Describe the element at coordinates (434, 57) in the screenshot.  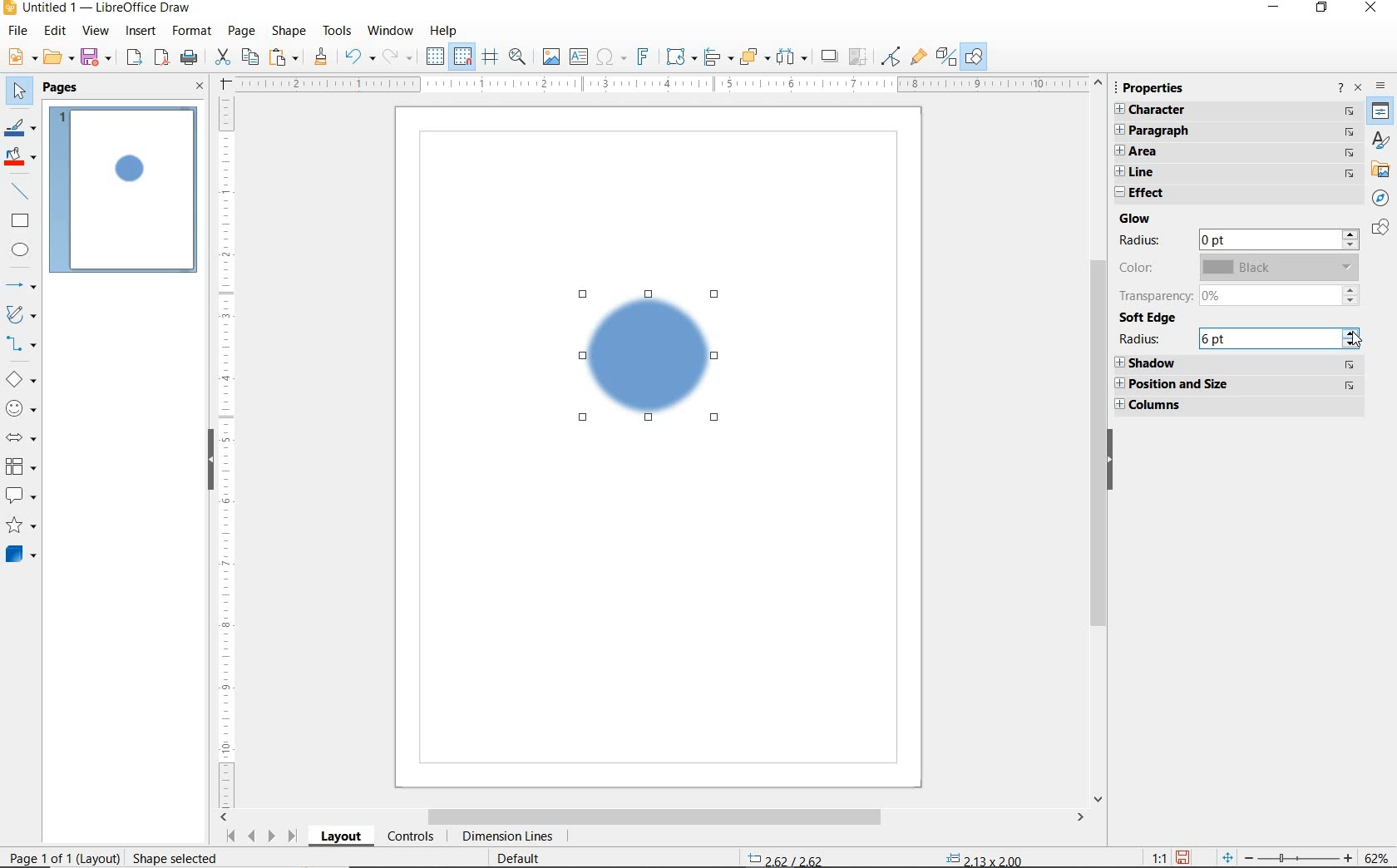
I see `DISPLAY GRID` at that location.